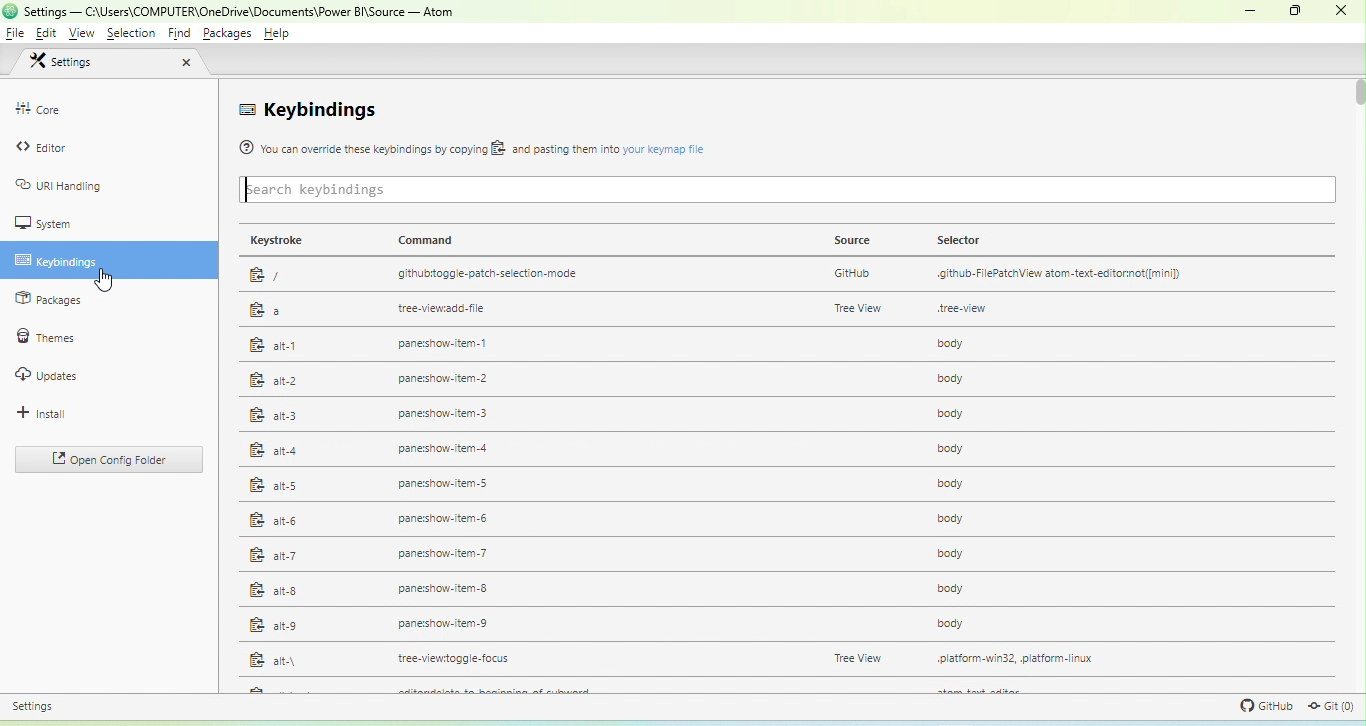 This screenshot has width=1366, height=726. I want to click on keybindings, so click(62, 263).